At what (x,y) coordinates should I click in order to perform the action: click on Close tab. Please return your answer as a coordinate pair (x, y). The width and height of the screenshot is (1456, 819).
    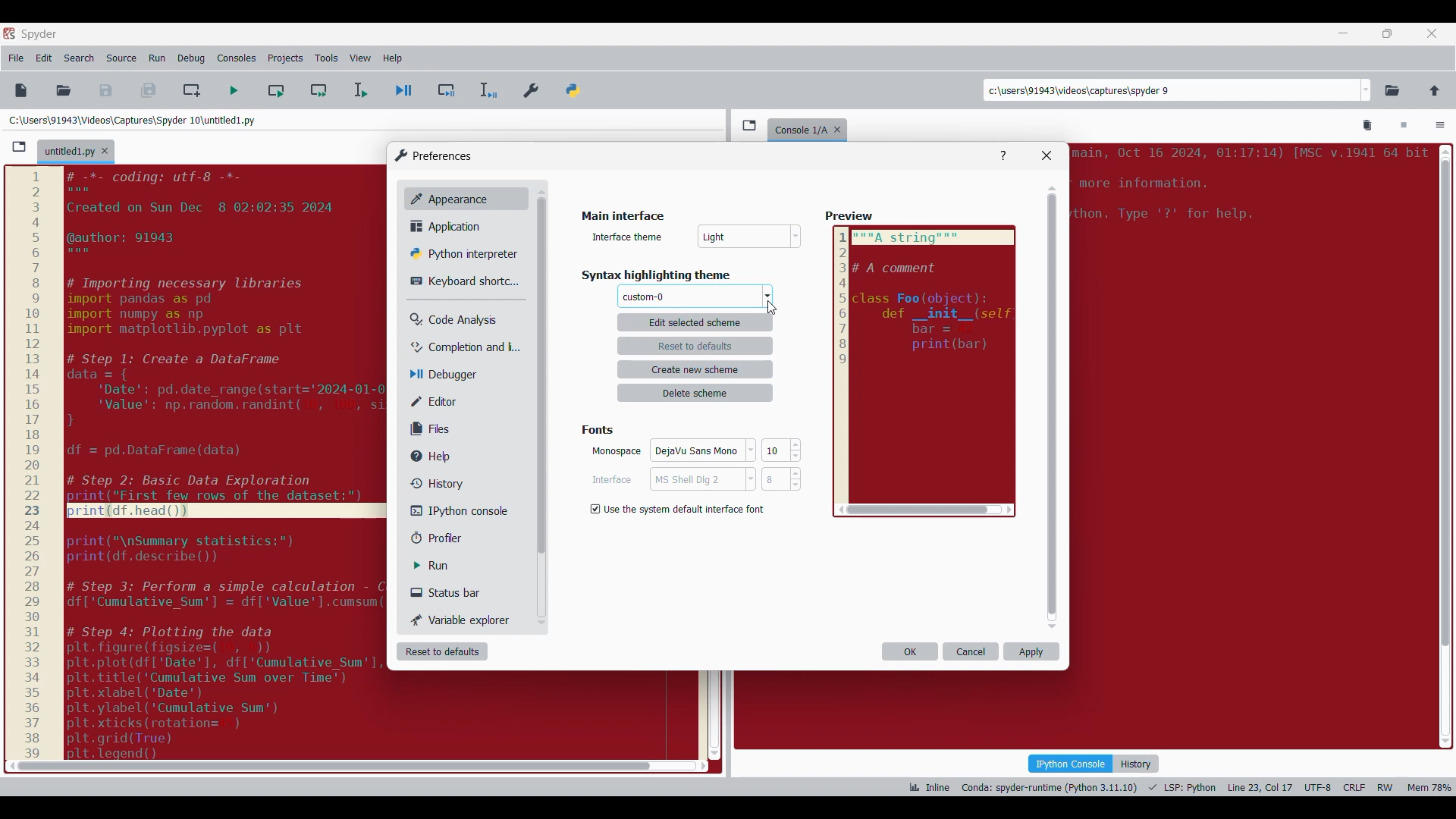
    Looking at the image, I should click on (105, 151).